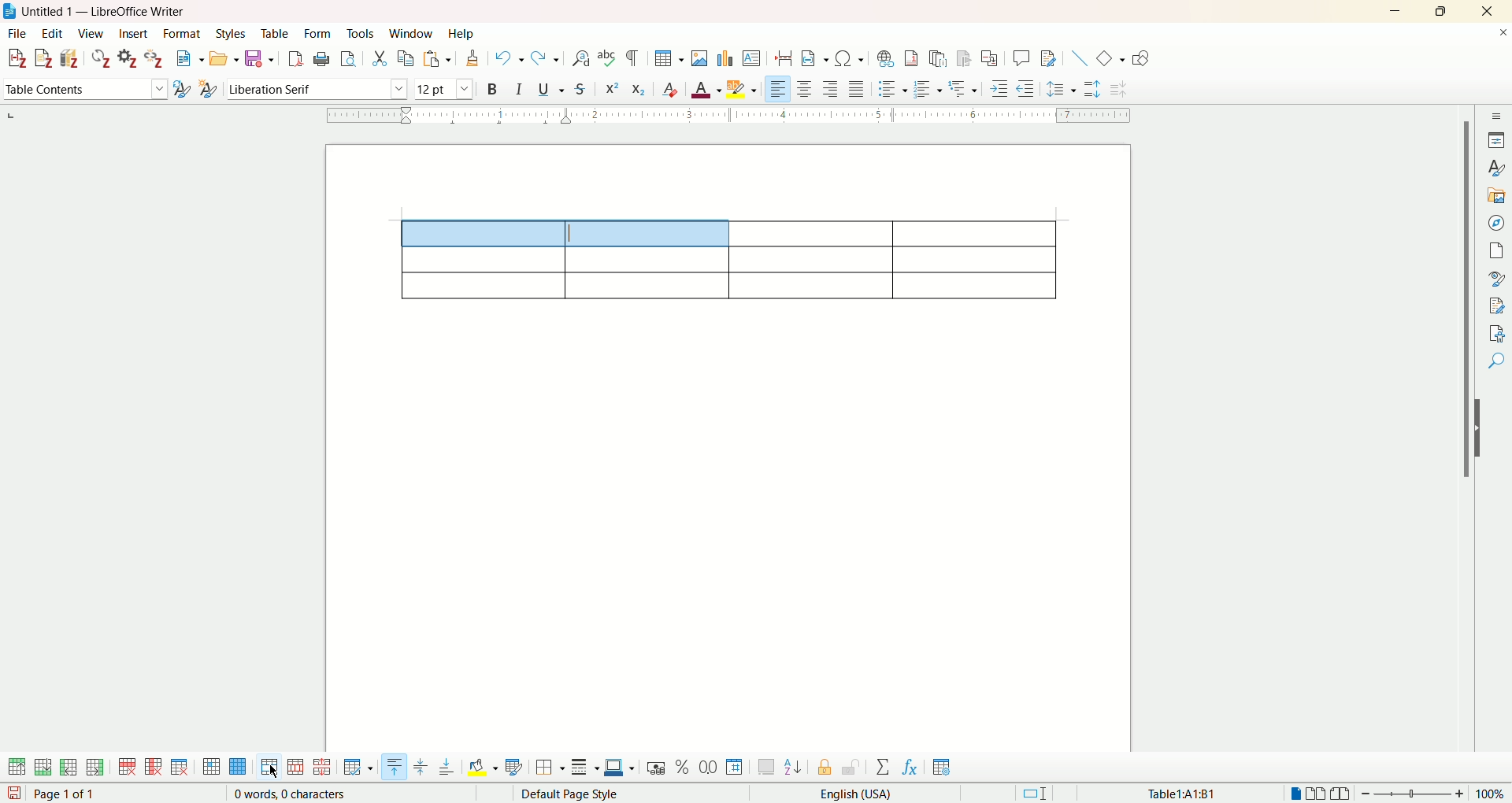 The image size is (1512, 803). Describe the element at coordinates (611, 89) in the screenshot. I see `superscript` at that location.